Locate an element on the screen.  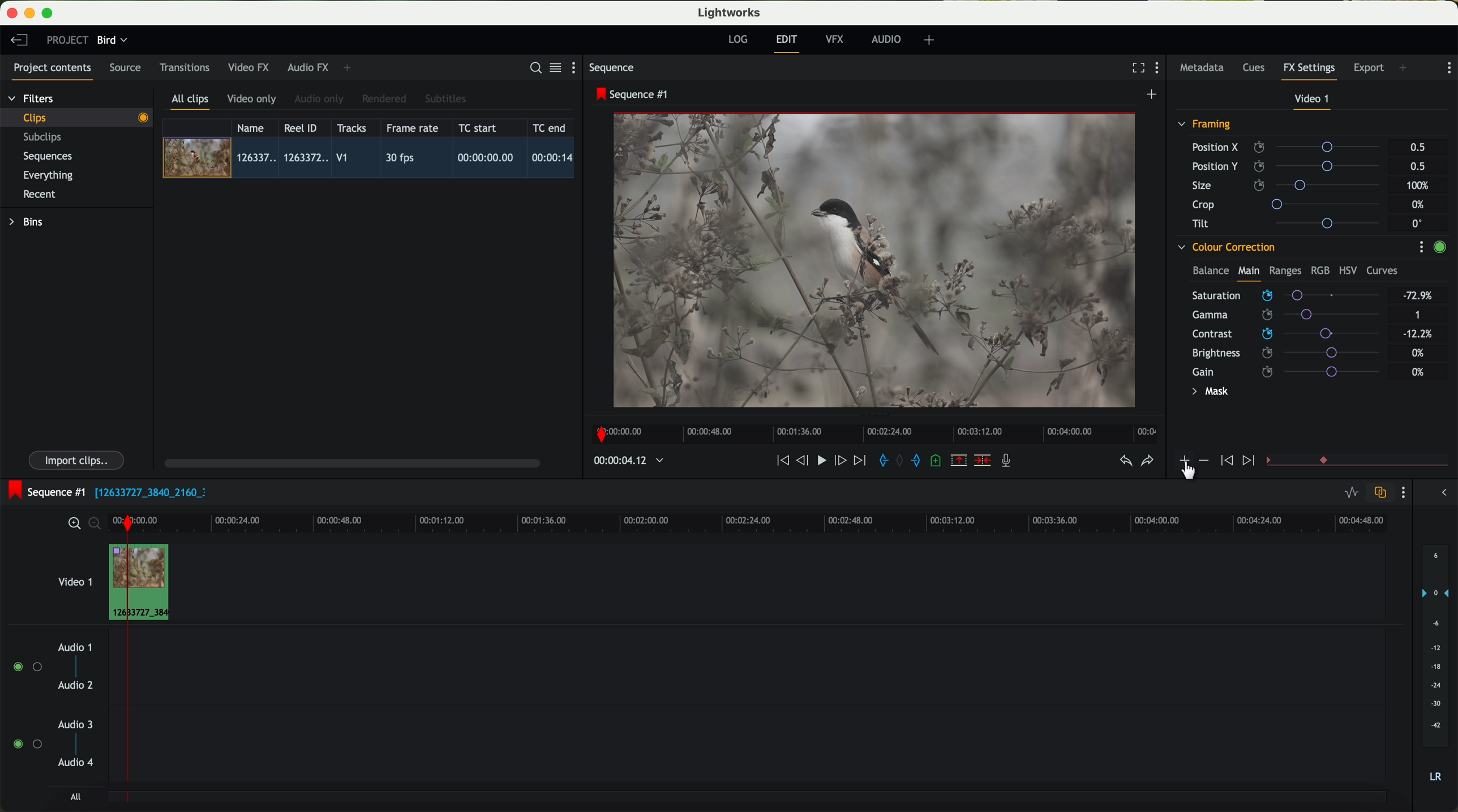
project contents is located at coordinates (53, 71).